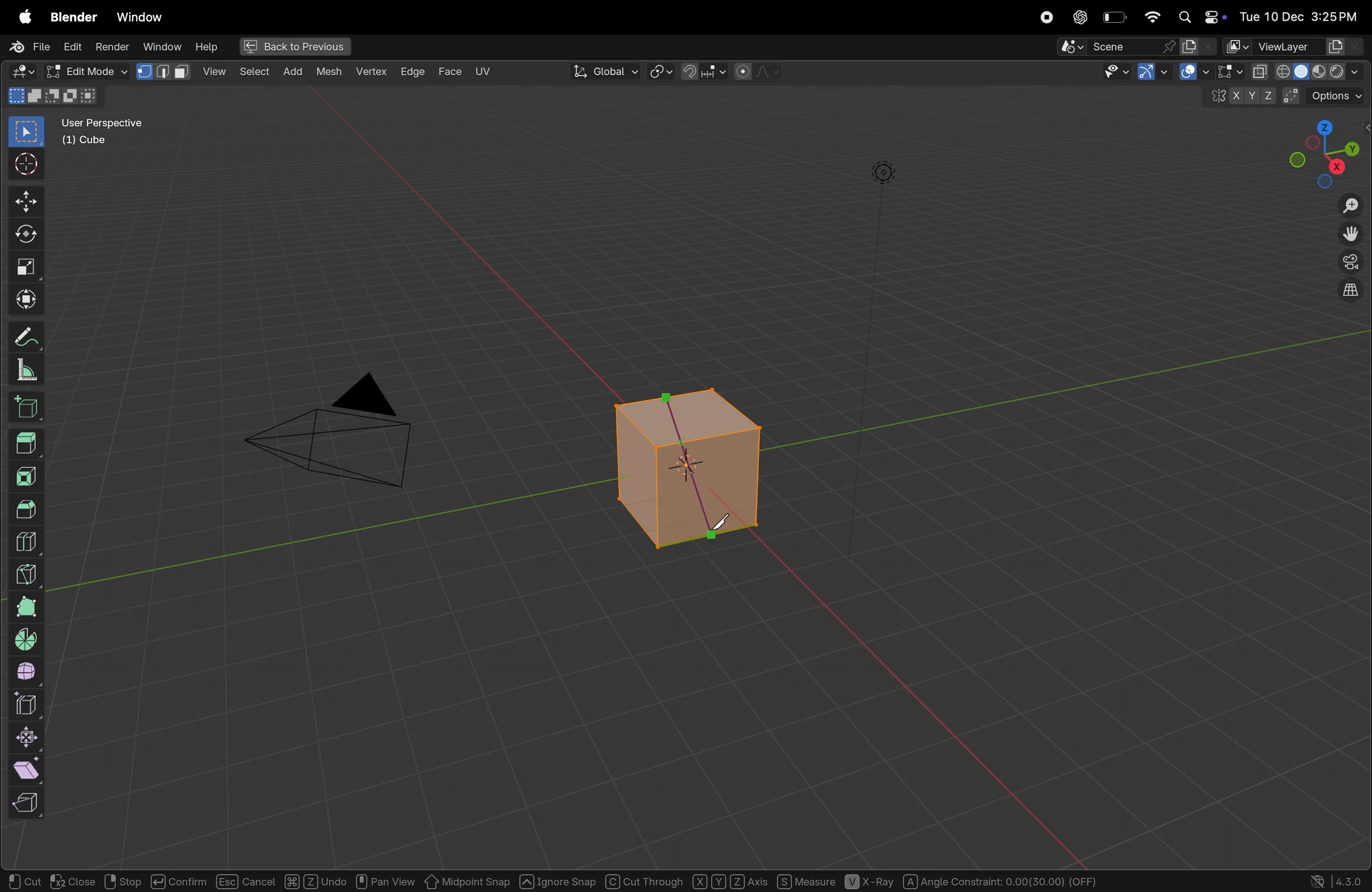 The image size is (1372, 892). I want to click on Apple menu, so click(19, 17).